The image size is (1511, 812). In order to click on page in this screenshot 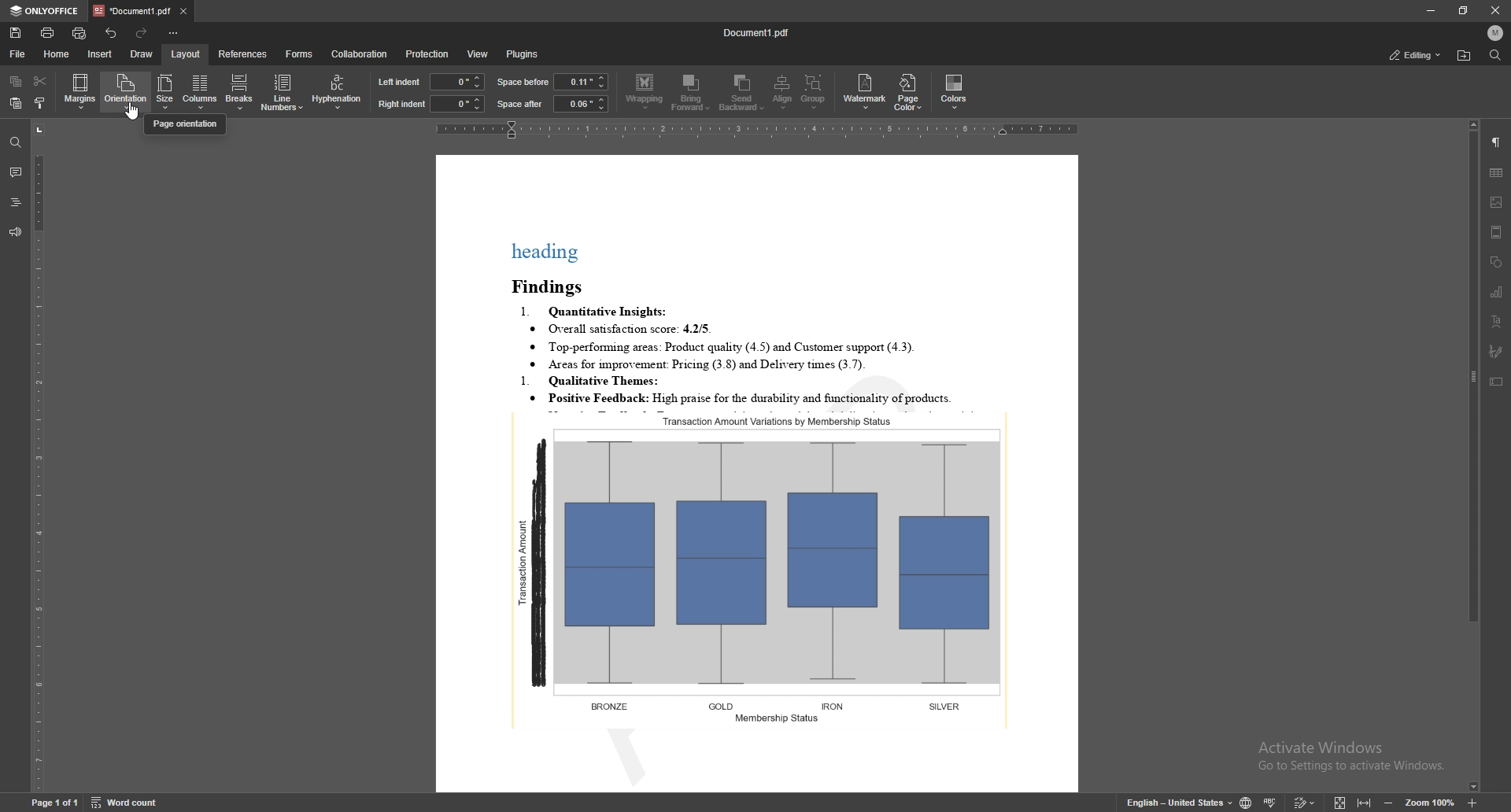, I will do `click(53, 802)`.